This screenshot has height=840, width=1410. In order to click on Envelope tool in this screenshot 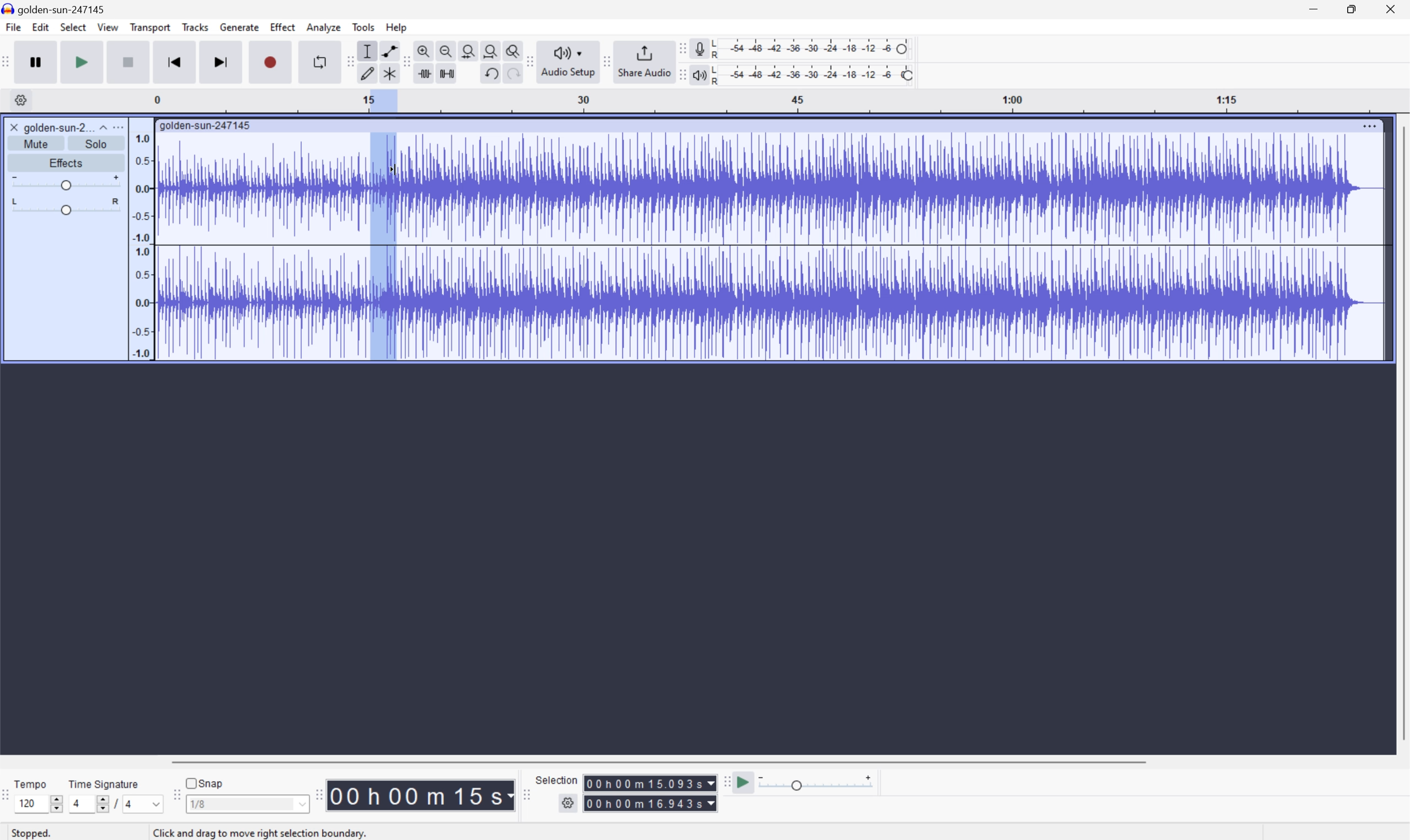, I will do `click(387, 50)`.